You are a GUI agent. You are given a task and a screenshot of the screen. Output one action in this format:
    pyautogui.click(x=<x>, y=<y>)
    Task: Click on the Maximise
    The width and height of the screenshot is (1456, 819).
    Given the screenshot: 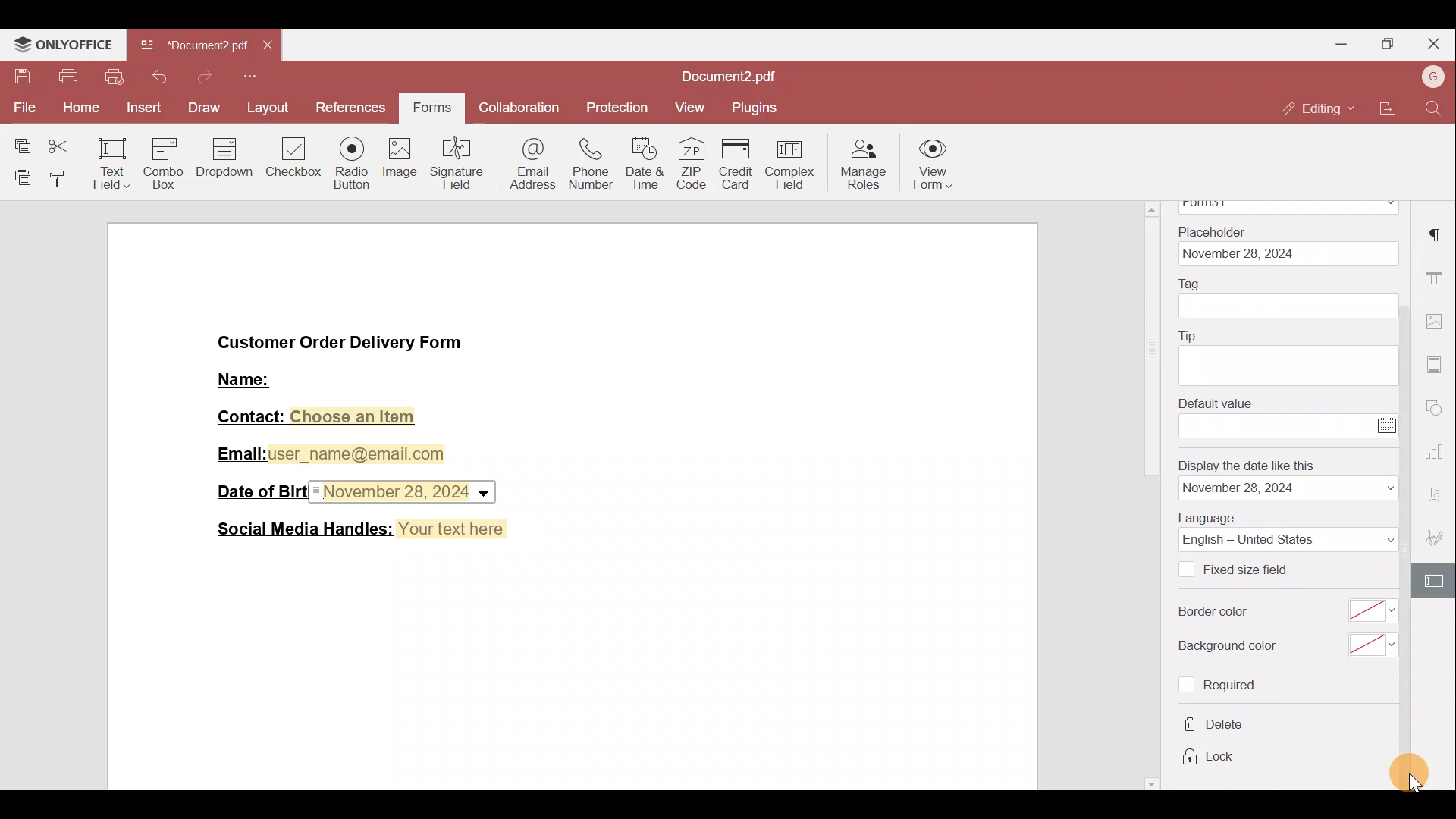 What is the action you would take?
    pyautogui.click(x=1389, y=42)
    